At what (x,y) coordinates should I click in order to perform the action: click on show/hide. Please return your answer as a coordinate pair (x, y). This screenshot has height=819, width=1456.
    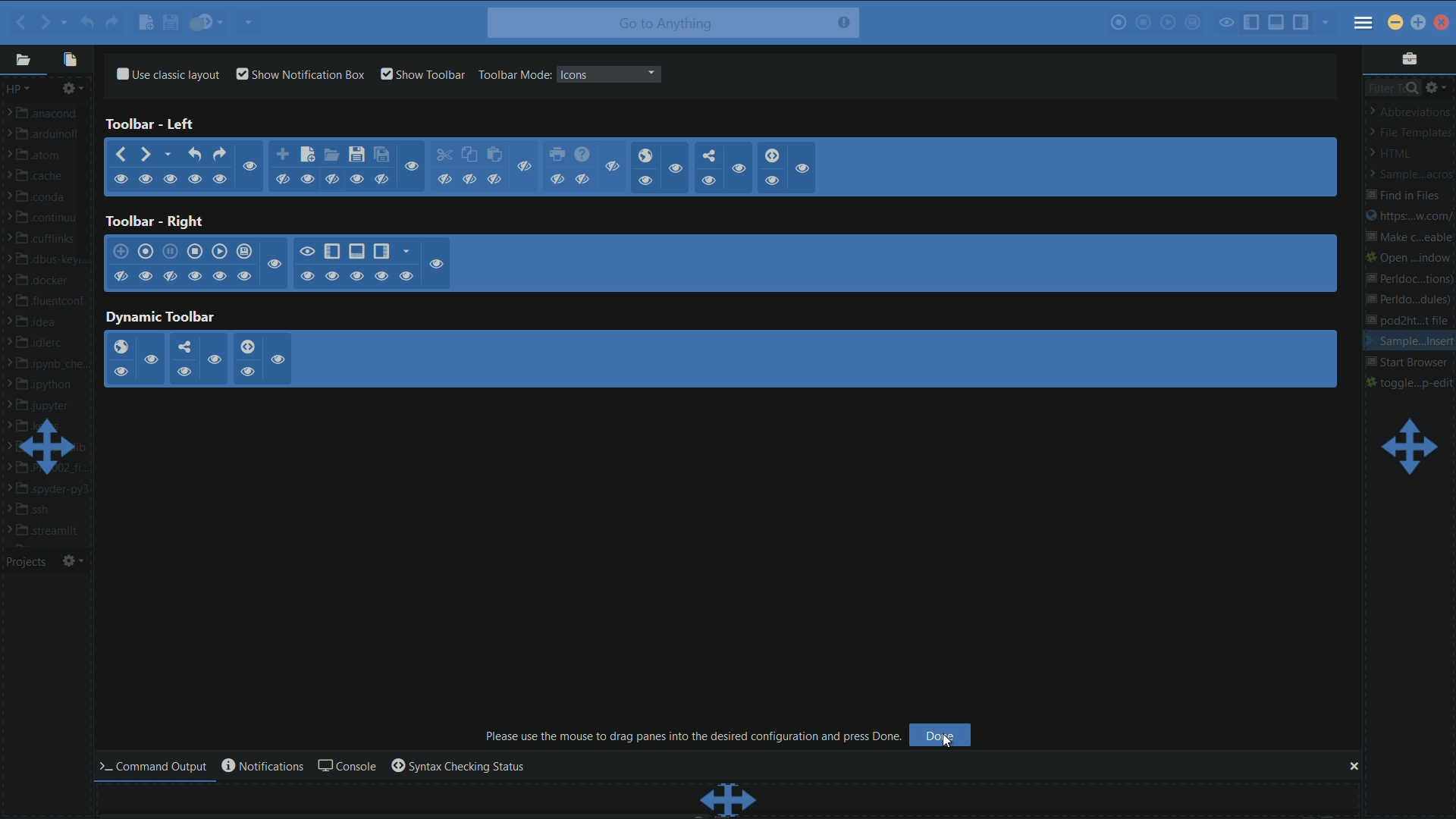
    Looking at the image, I should click on (645, 180).